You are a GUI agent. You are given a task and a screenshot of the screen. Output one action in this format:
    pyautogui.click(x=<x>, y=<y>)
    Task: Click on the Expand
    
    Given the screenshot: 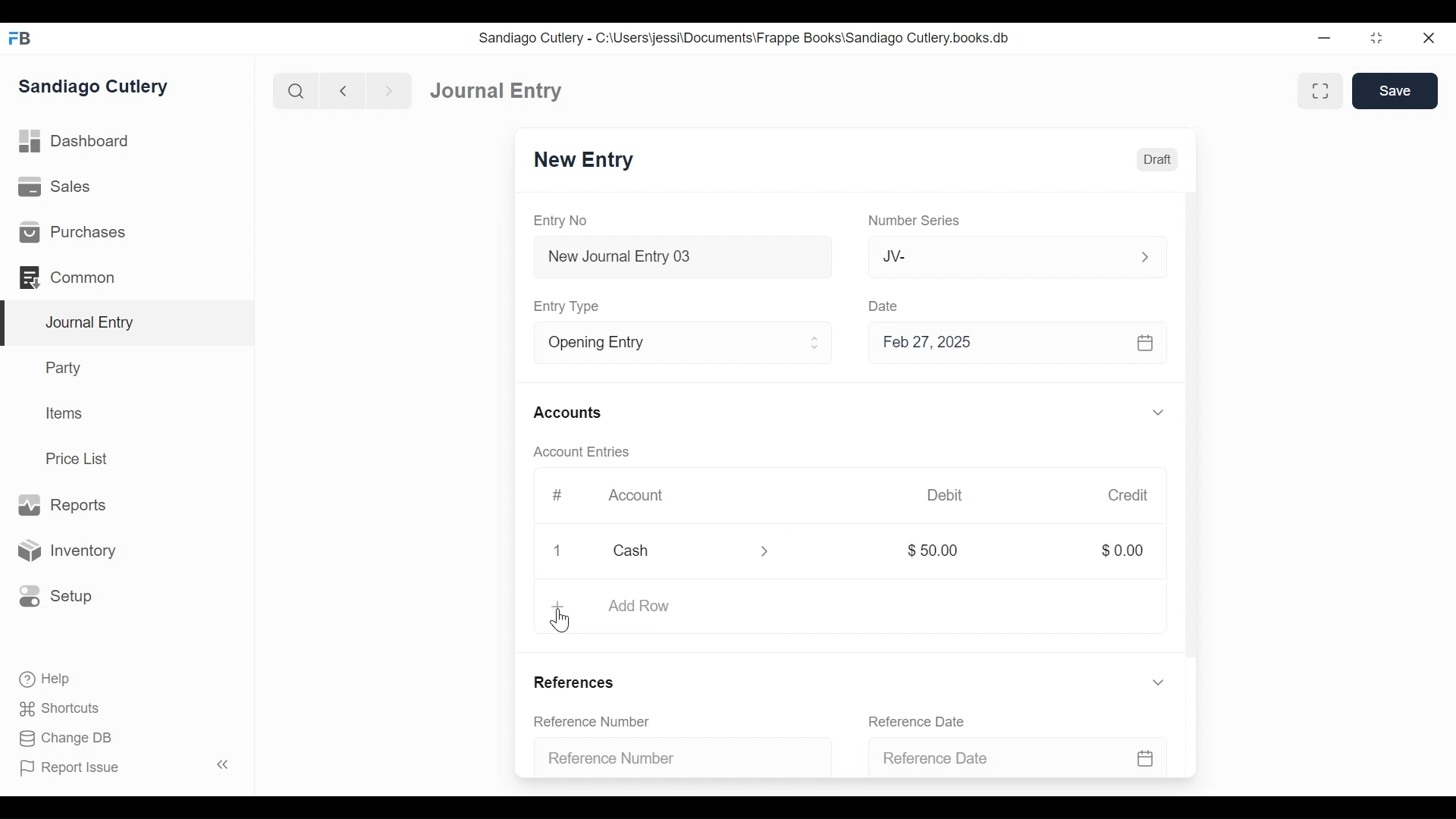 What is the action you would take?
    pyautogui.click(x=1159, y=681)
    